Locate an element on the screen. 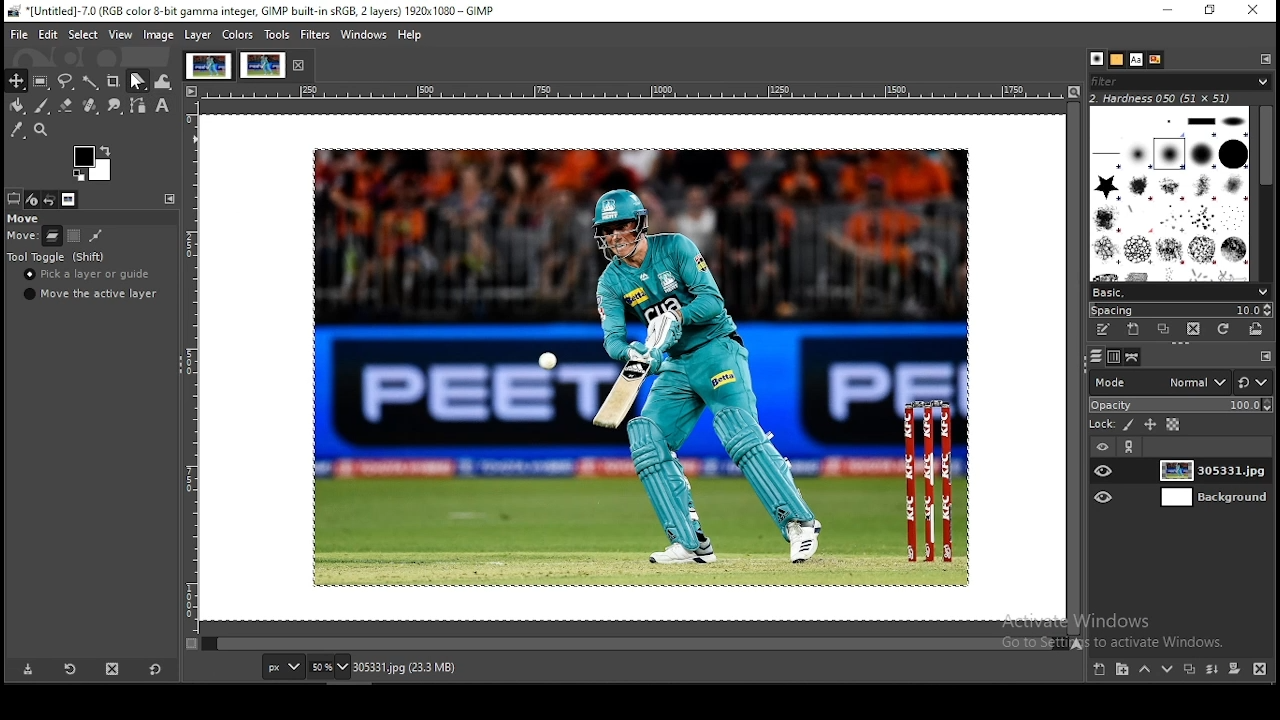 This screenshot has width=1280, height=720. free selection tool is located at coordinates (66, 82).